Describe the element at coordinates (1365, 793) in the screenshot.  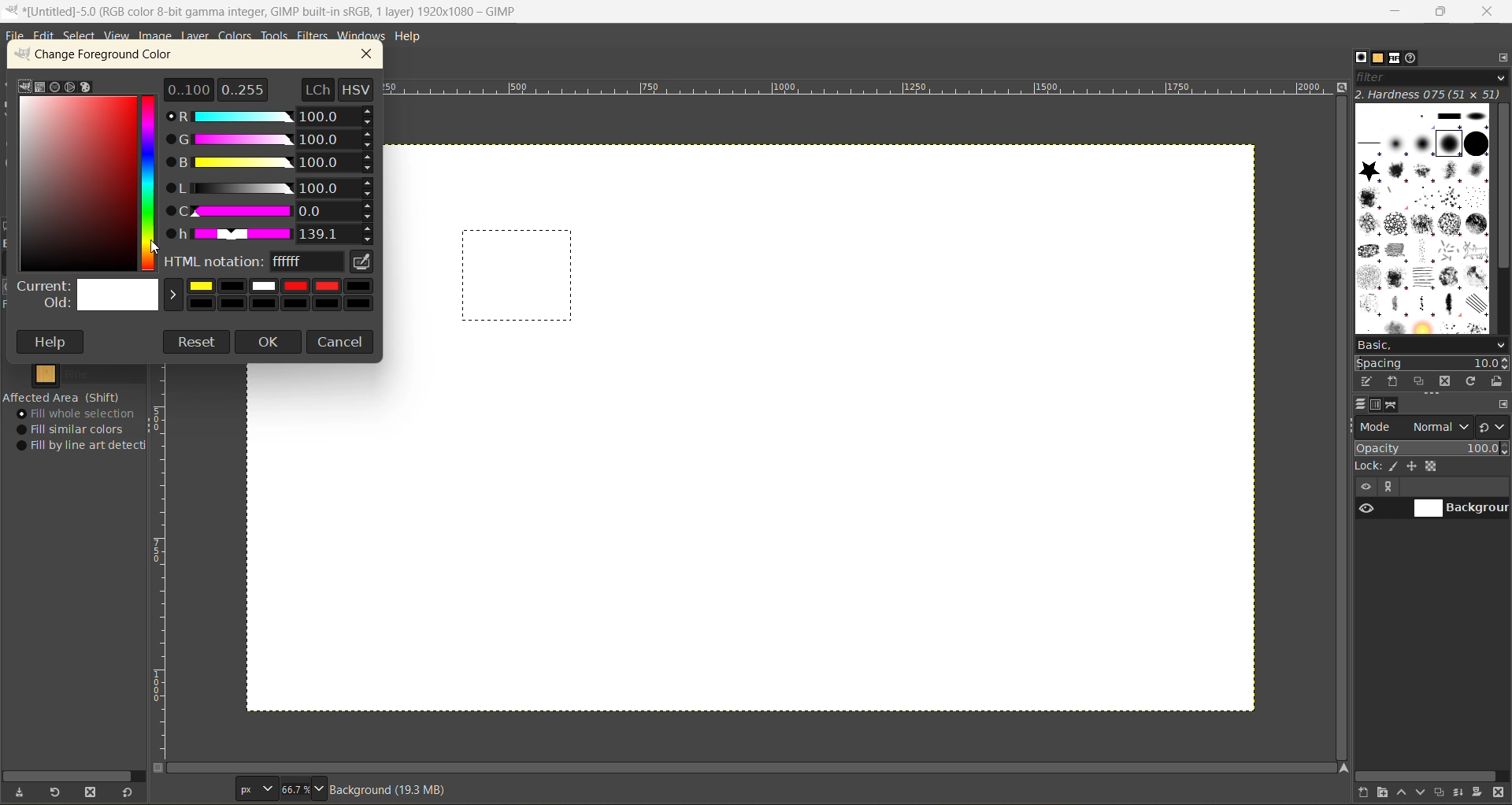
I see `create a new layer` at that location.